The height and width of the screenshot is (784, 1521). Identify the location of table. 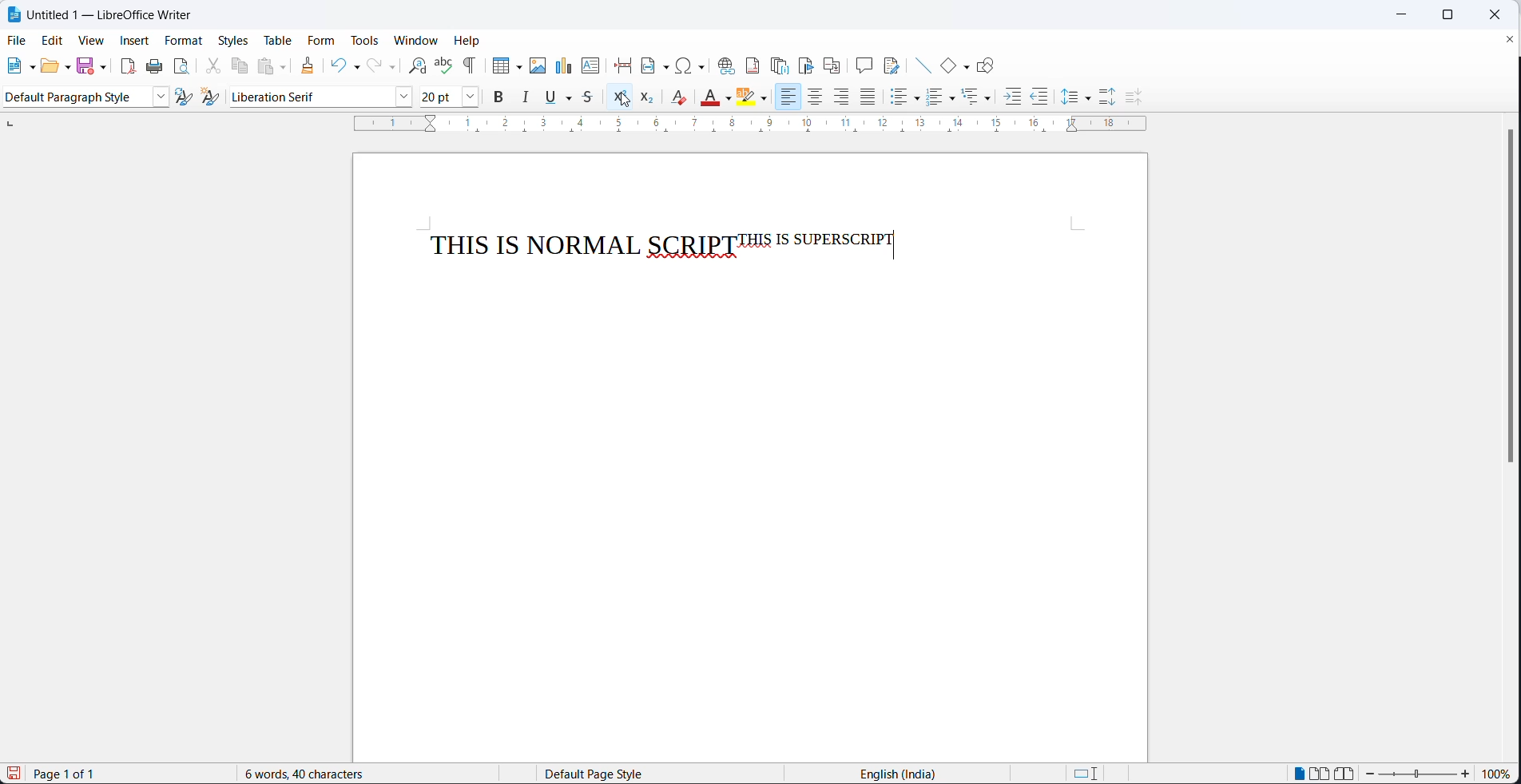
(279, 42).